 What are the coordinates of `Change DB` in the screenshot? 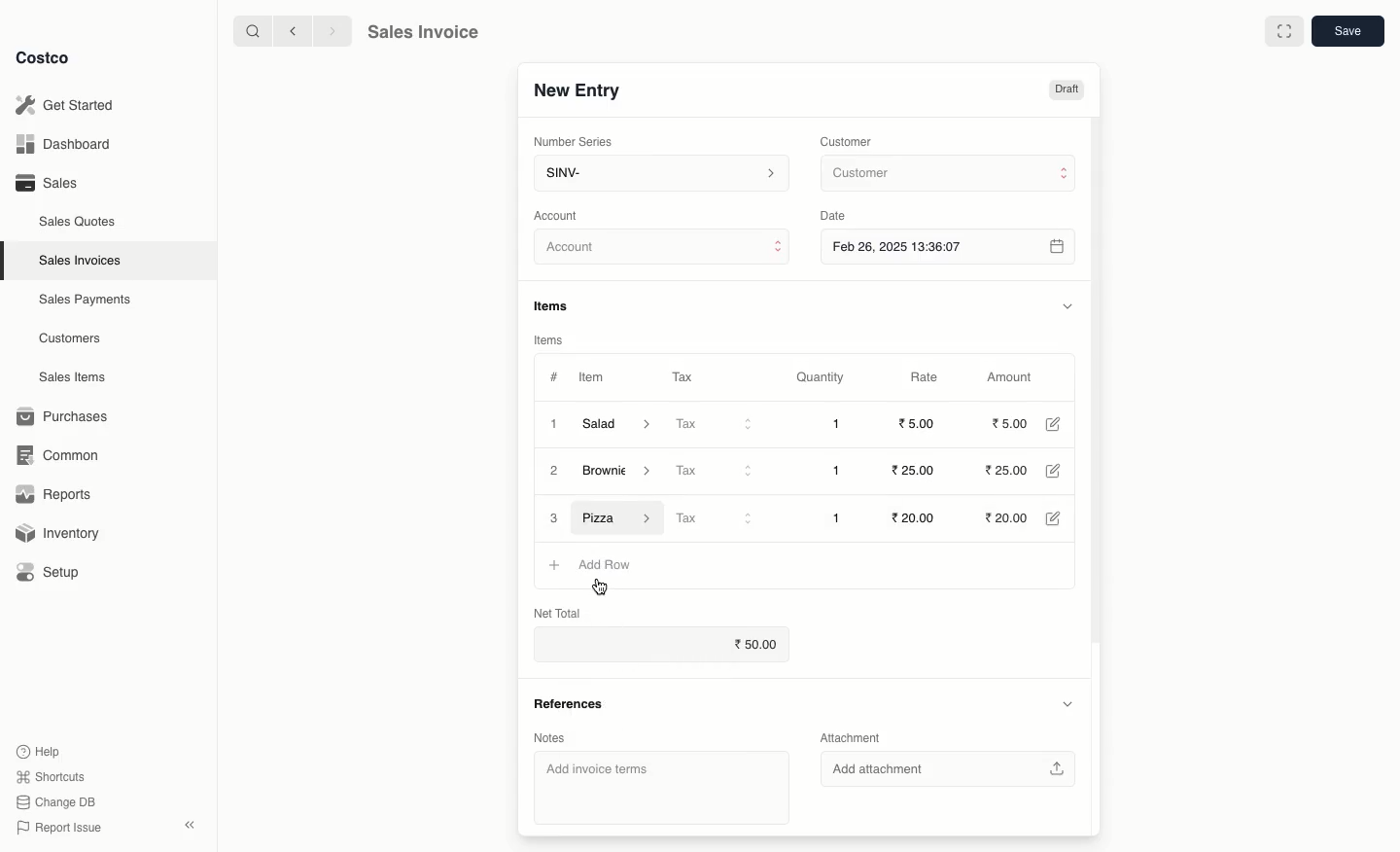 It's located at (52, 800).